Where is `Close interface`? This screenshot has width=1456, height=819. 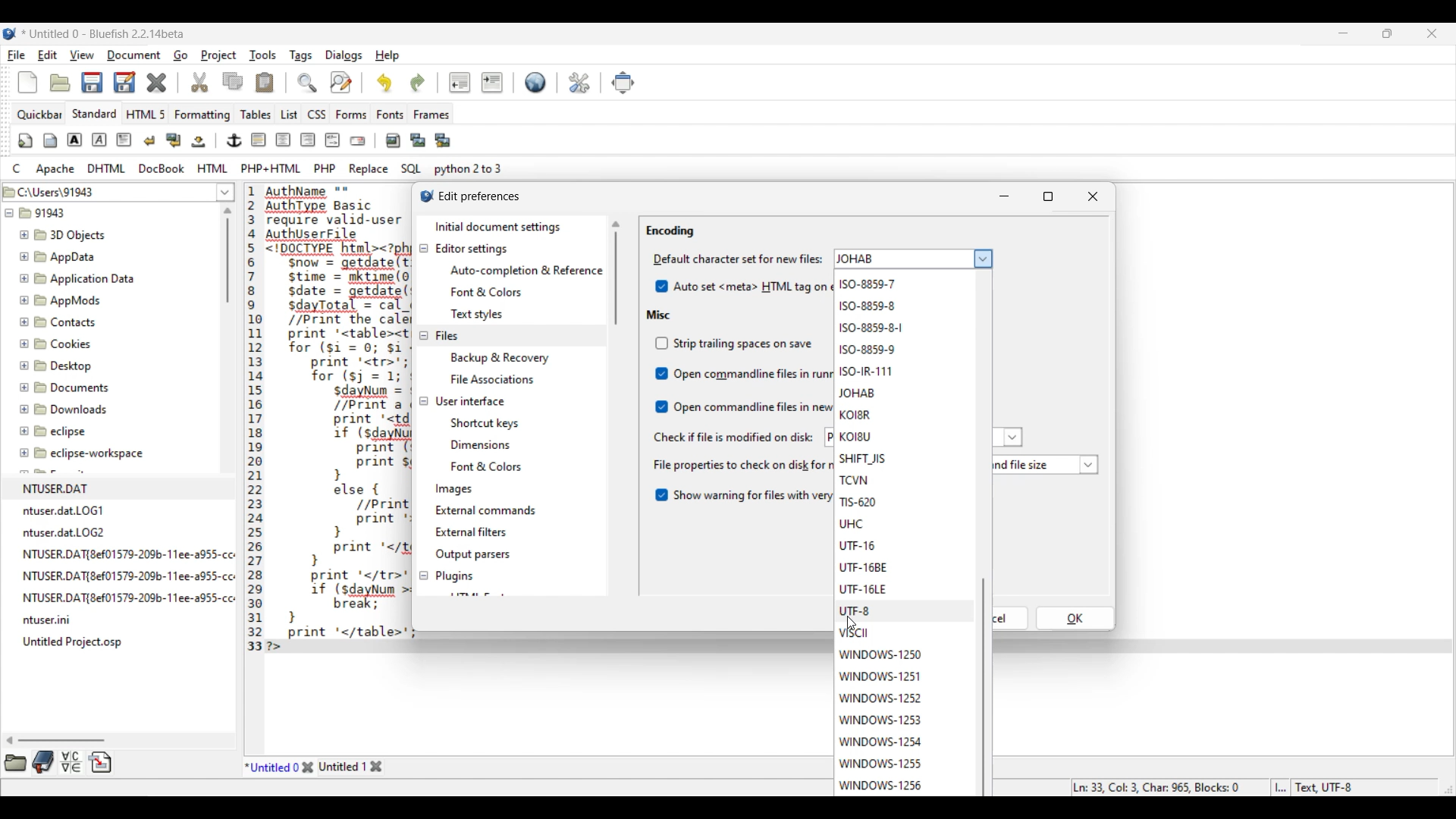
Close interface is located at coordinates (1432, 33).